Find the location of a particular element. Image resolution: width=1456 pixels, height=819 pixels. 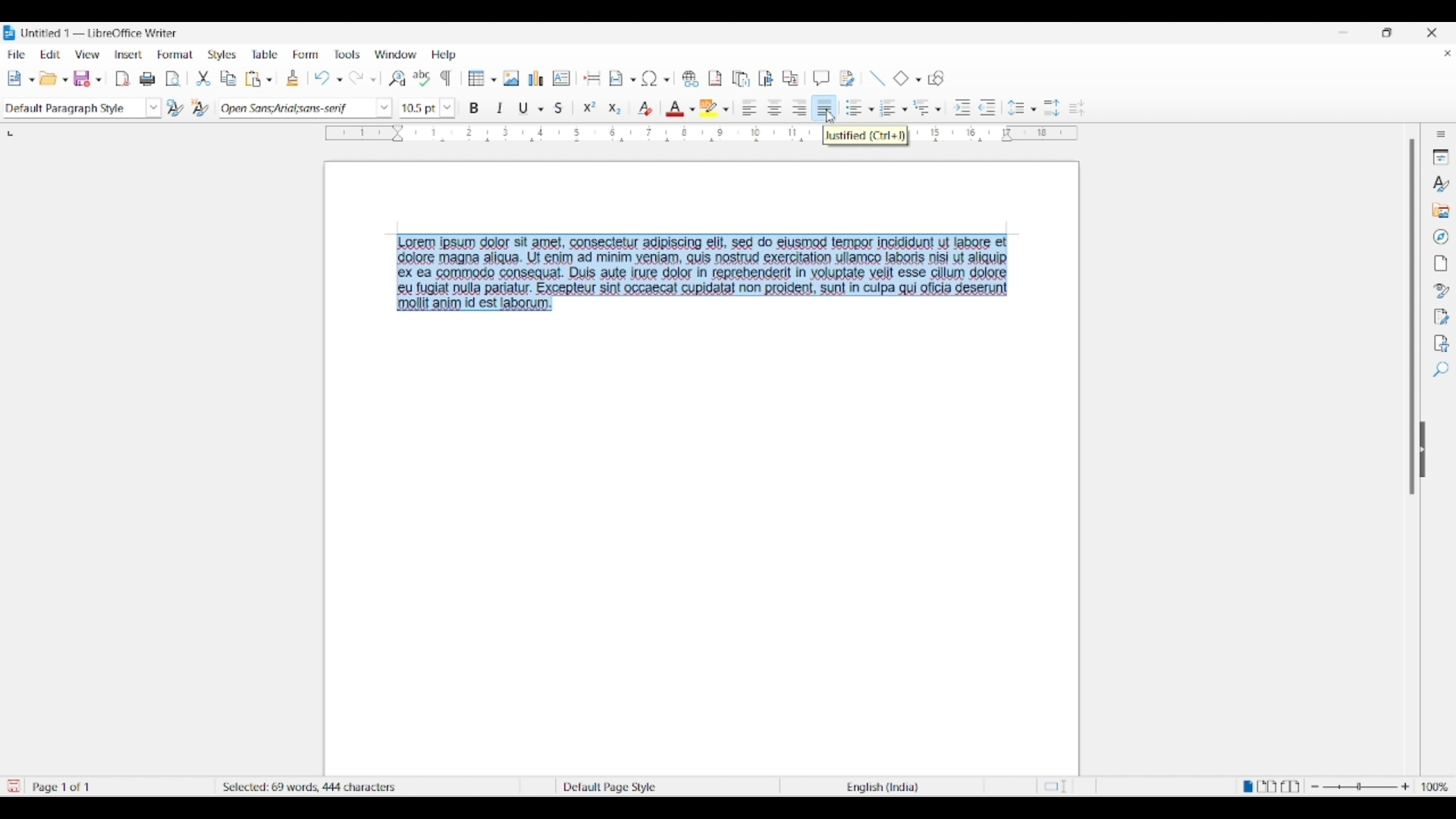

Decrease indent is located at coordinates (988, 108).